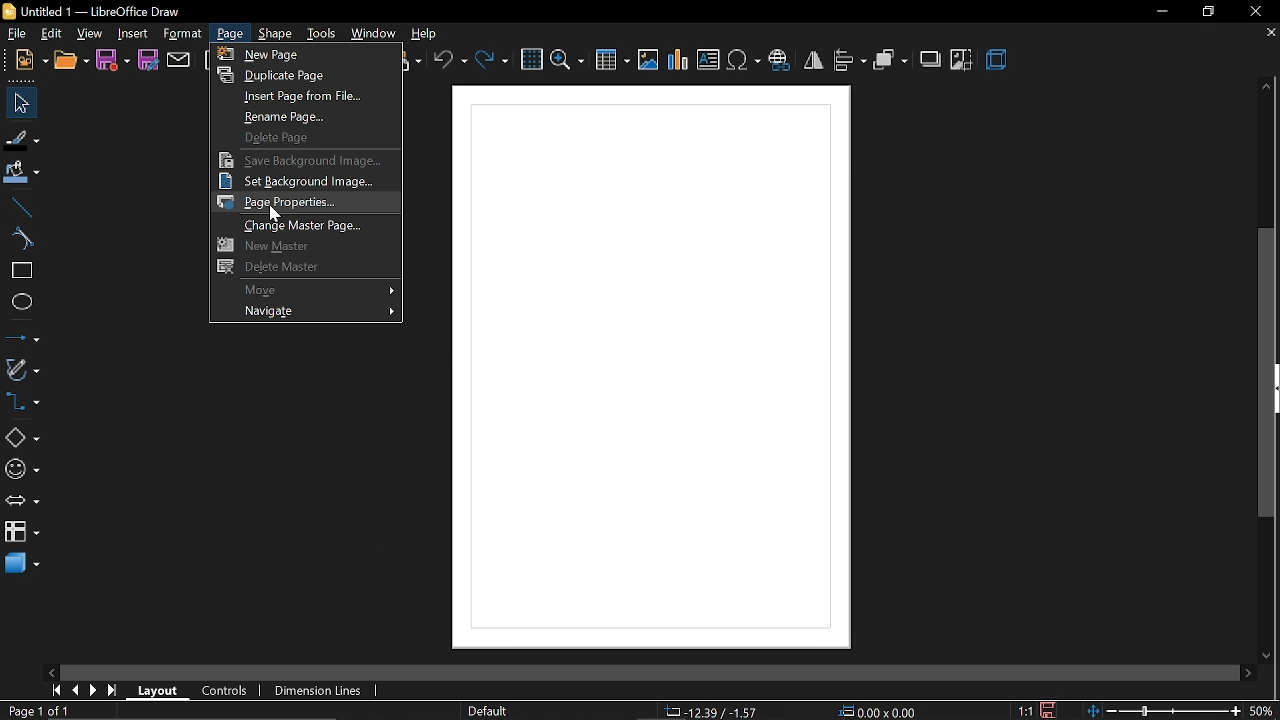  Describe the element at coordinates (21, 208) in the screenshot. I see `line` at that location.